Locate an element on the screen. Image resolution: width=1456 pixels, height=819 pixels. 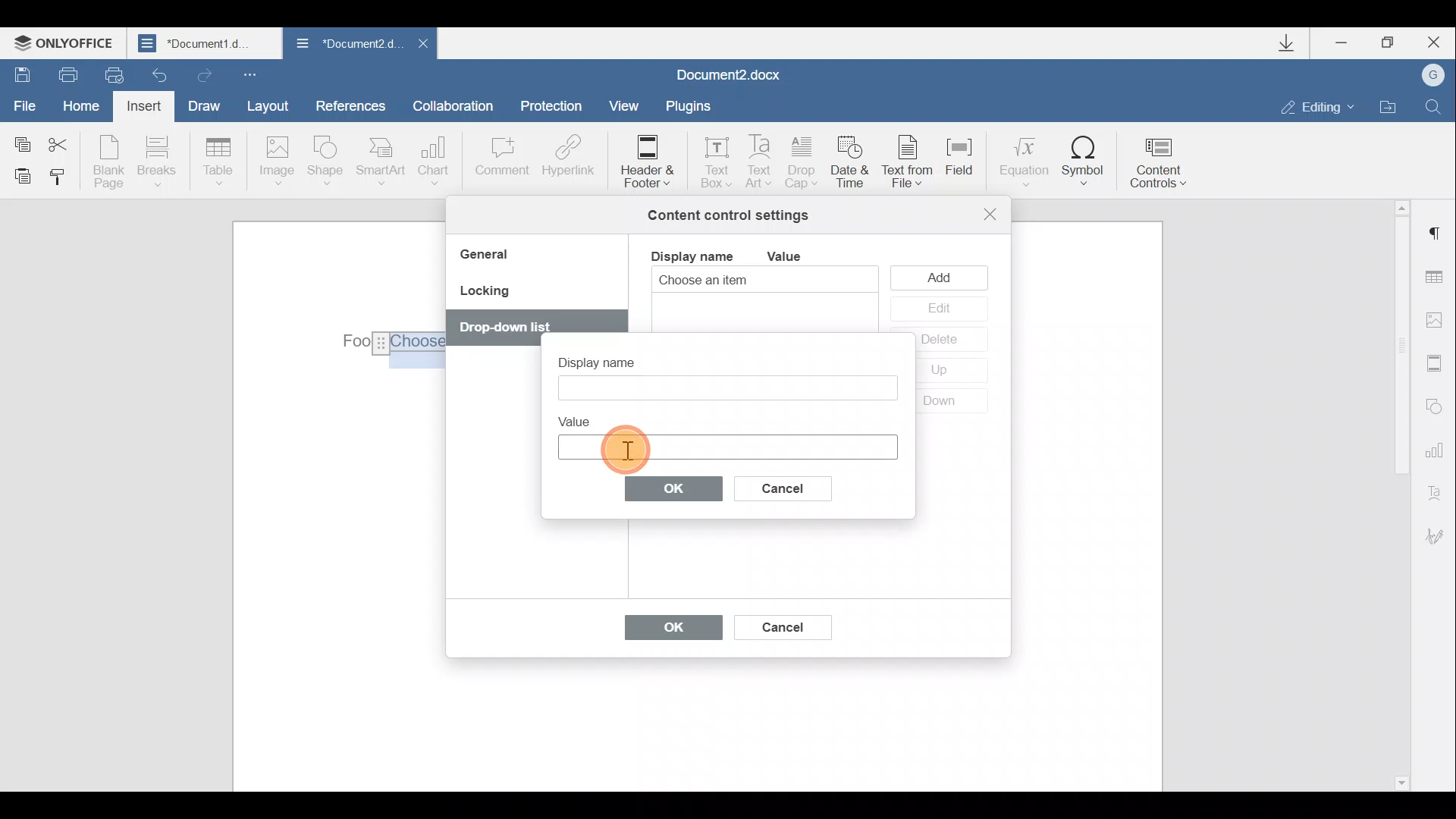
Date & time is located at coordinates (852, 165).